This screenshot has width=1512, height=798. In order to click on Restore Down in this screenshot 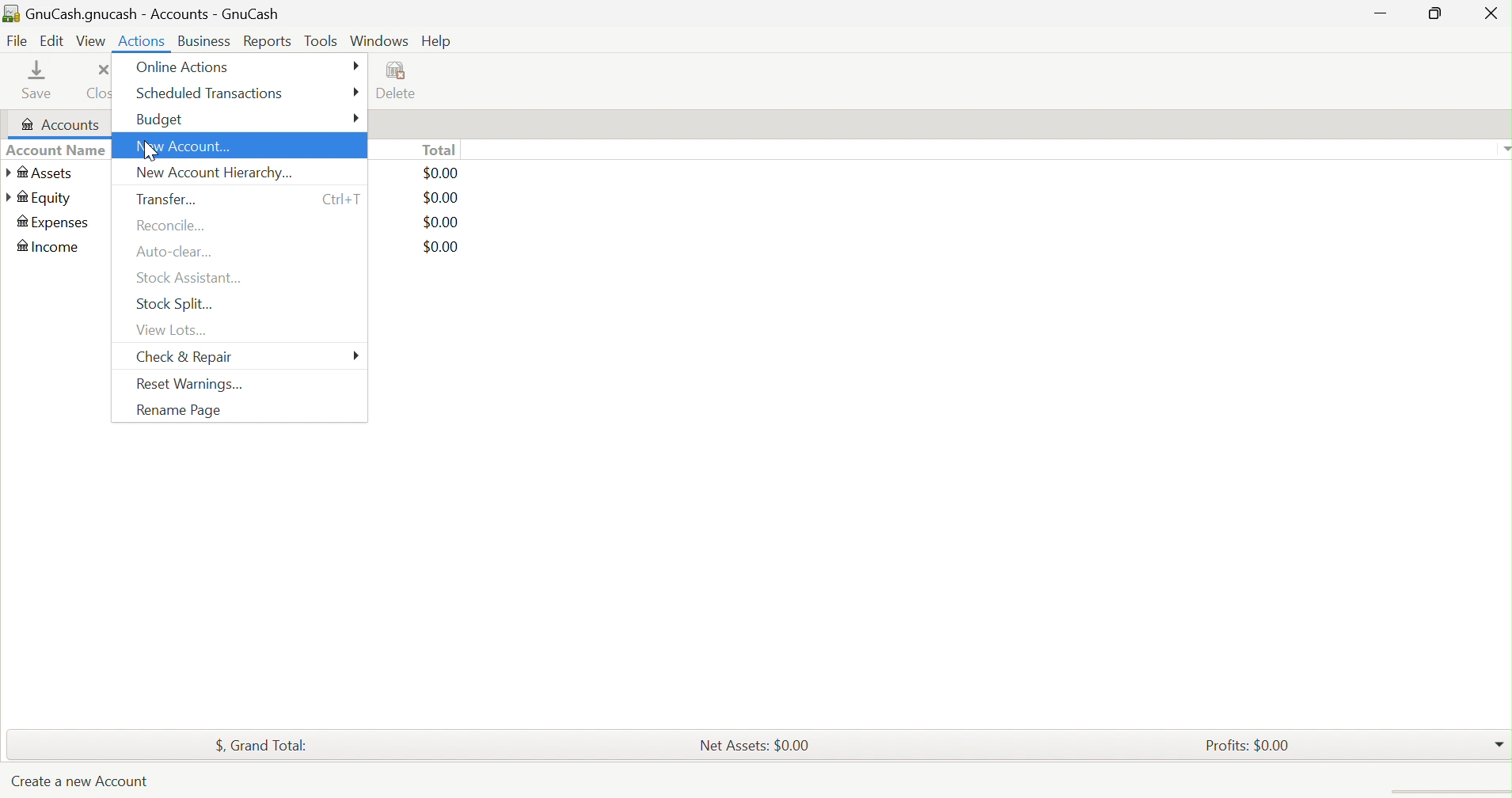, I will do `click(1432, 13)`.